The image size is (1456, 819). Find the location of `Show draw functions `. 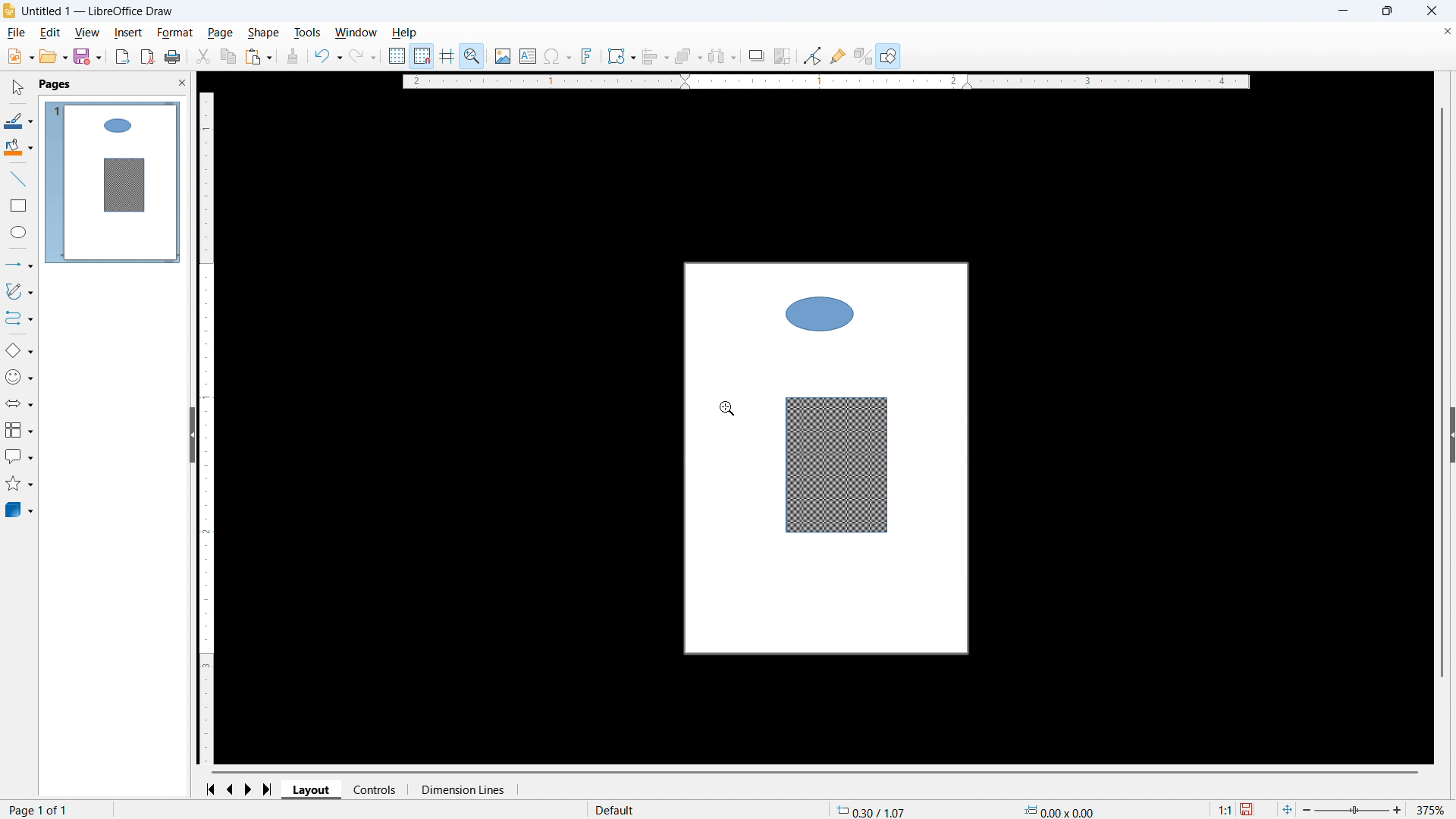

Show draw functions  is located at coordinates (888, 55).